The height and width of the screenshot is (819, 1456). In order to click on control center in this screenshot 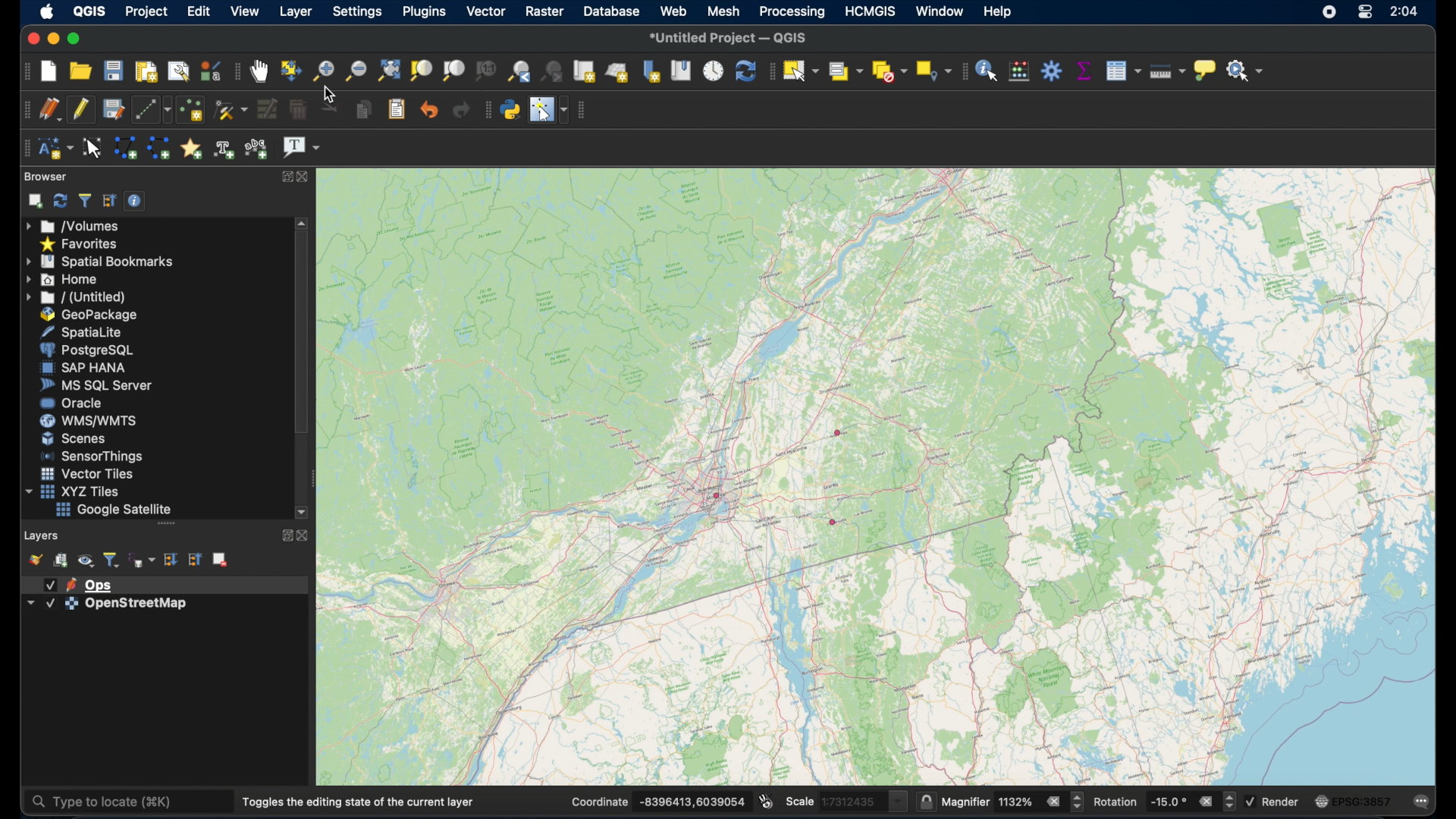, I will do `click(1366, 13)`.